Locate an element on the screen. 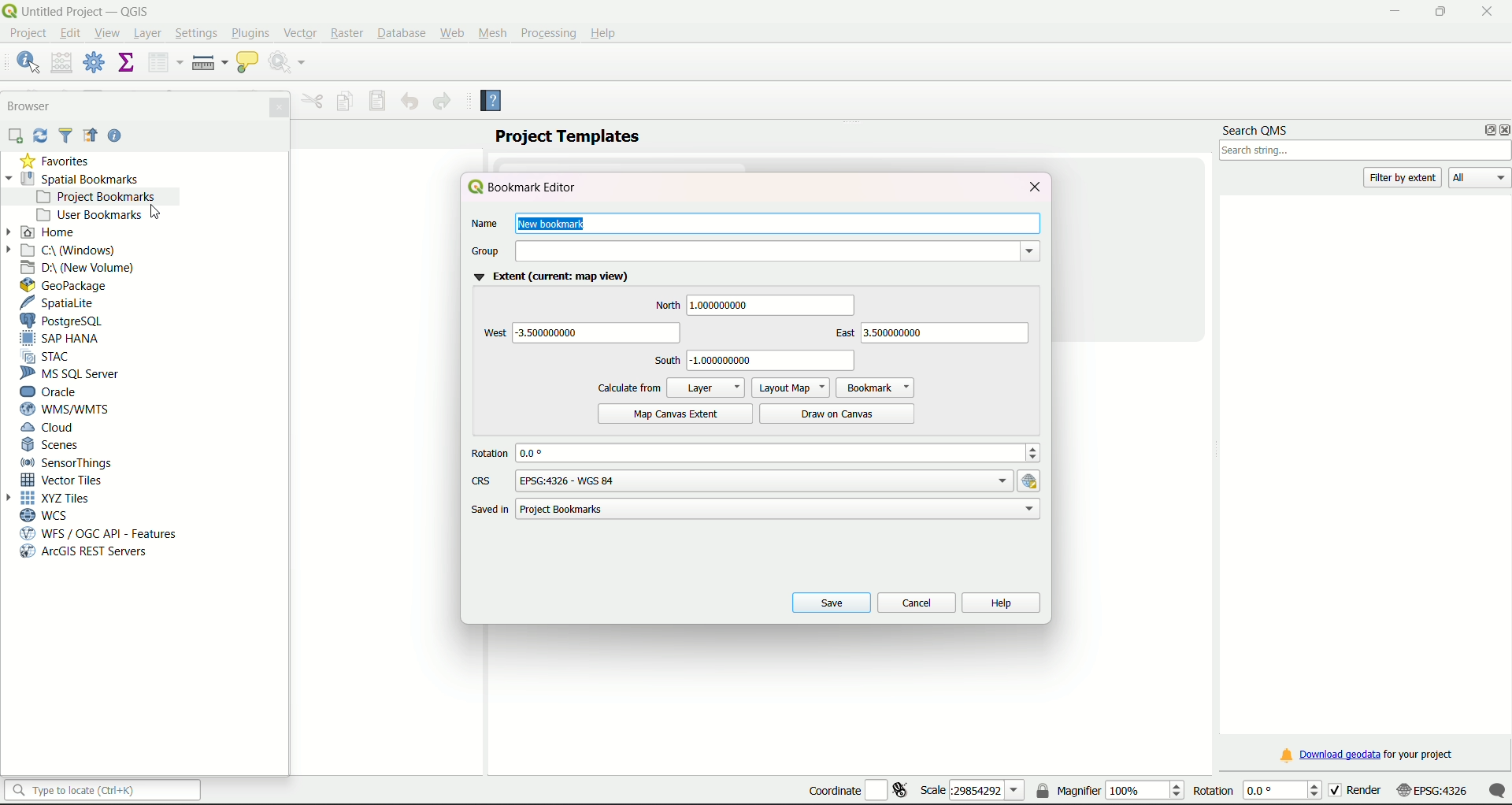 This screenshot has height=805, width=1512. Vector is located at coordinates (301, 31).